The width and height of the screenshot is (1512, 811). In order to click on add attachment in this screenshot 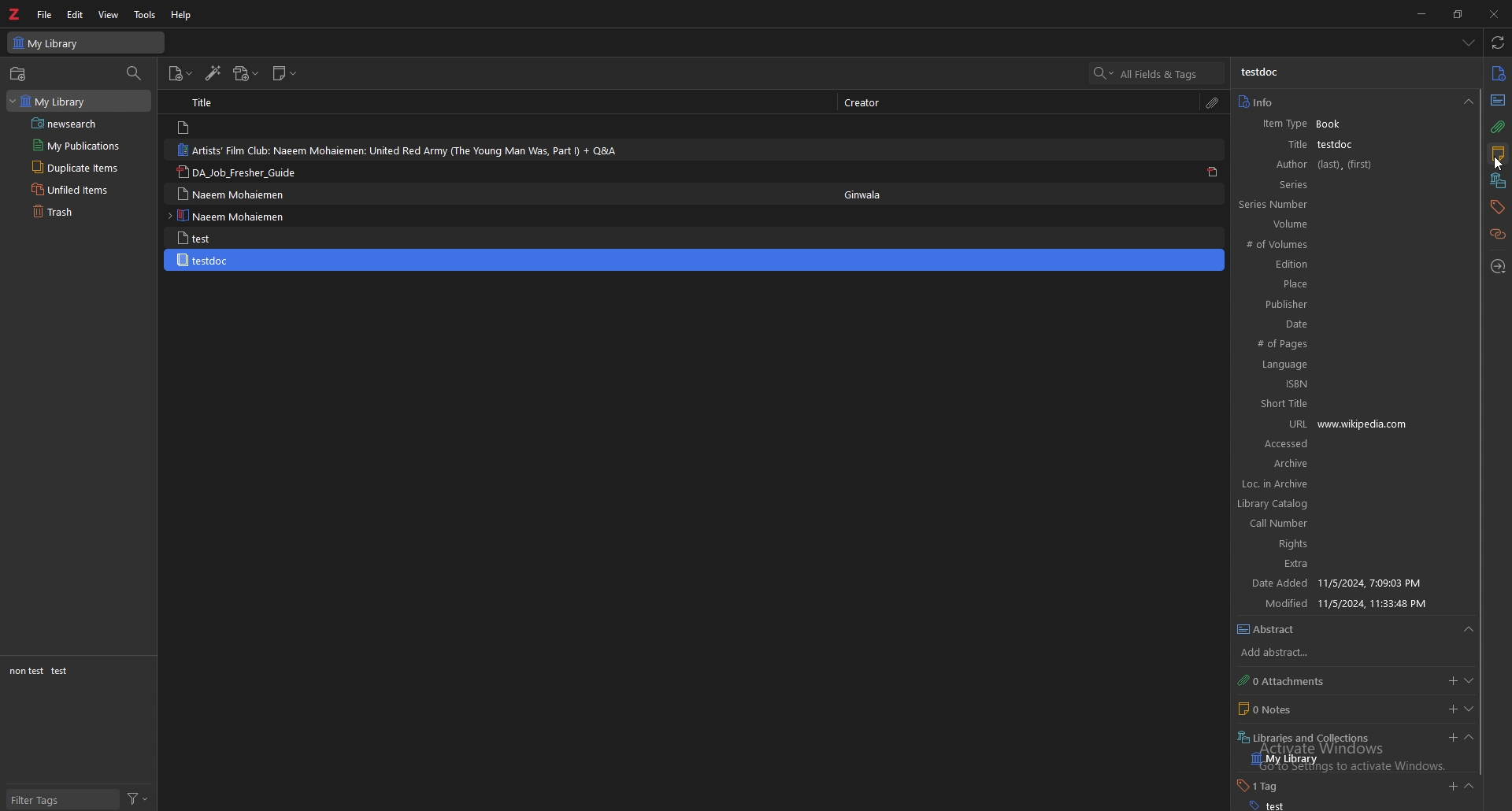, I will do `click(1453, 680)`.